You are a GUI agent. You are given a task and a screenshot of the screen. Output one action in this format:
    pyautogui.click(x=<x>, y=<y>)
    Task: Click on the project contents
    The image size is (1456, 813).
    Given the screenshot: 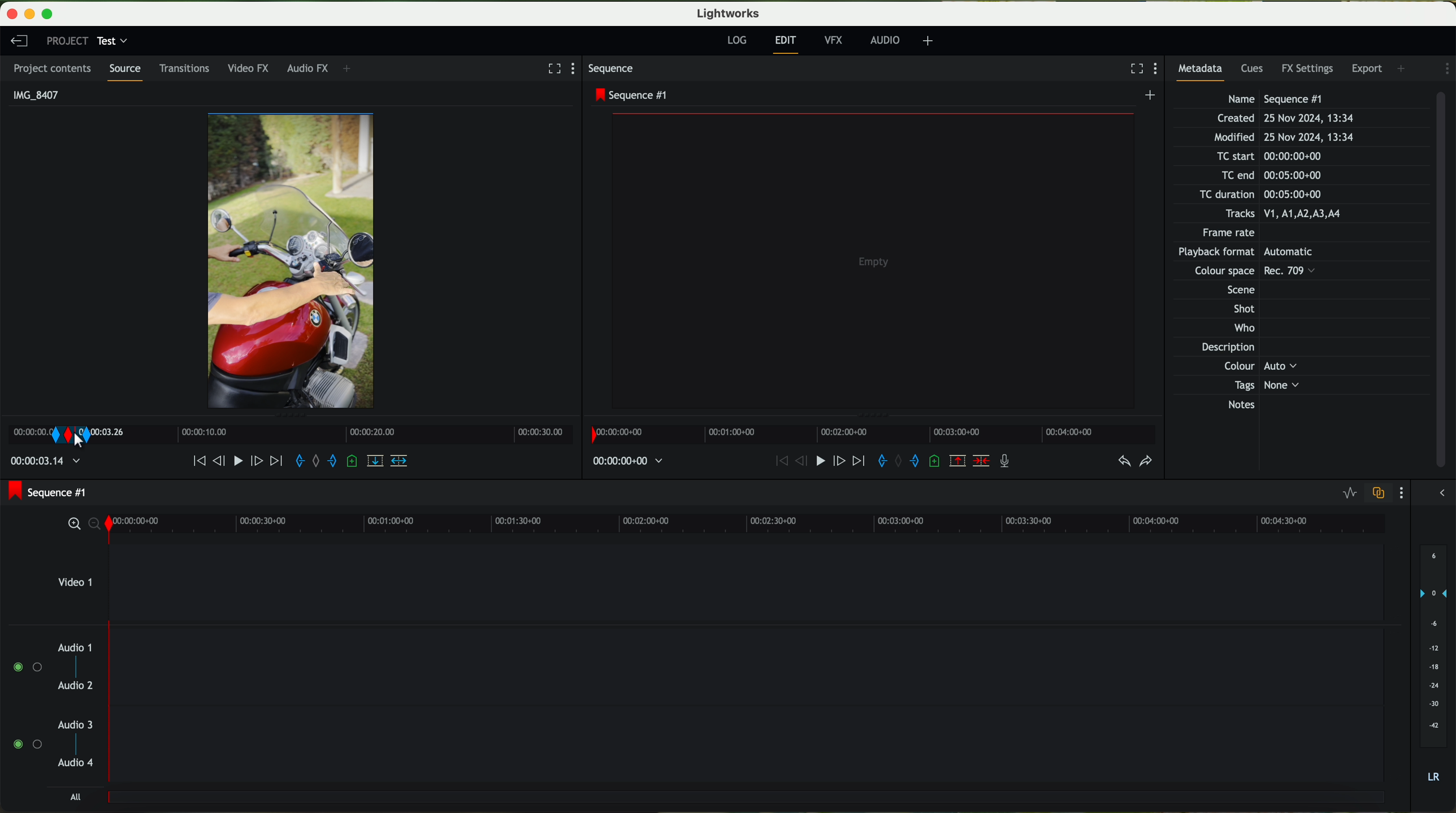 What is the action you would take?
    pyautogui.click(x=54, y=68)
    